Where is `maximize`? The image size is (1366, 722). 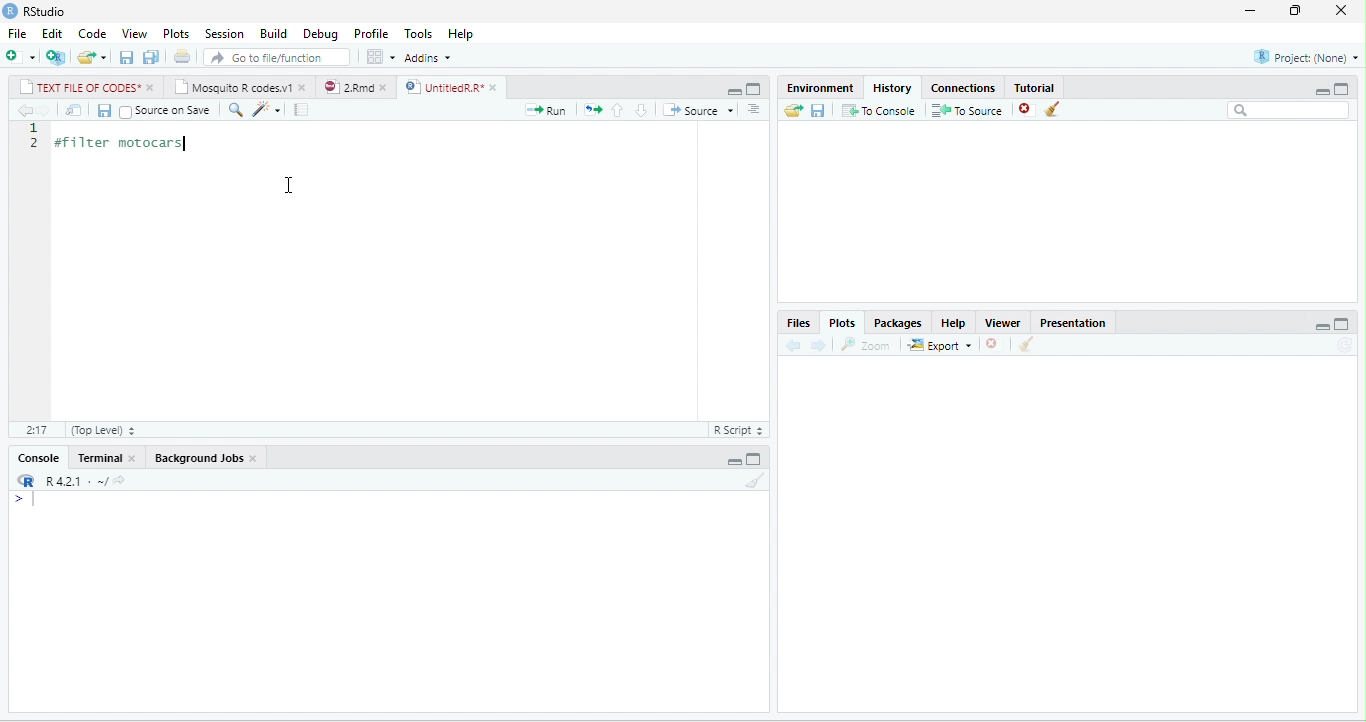
maximize is located at coordinates (753, 89).